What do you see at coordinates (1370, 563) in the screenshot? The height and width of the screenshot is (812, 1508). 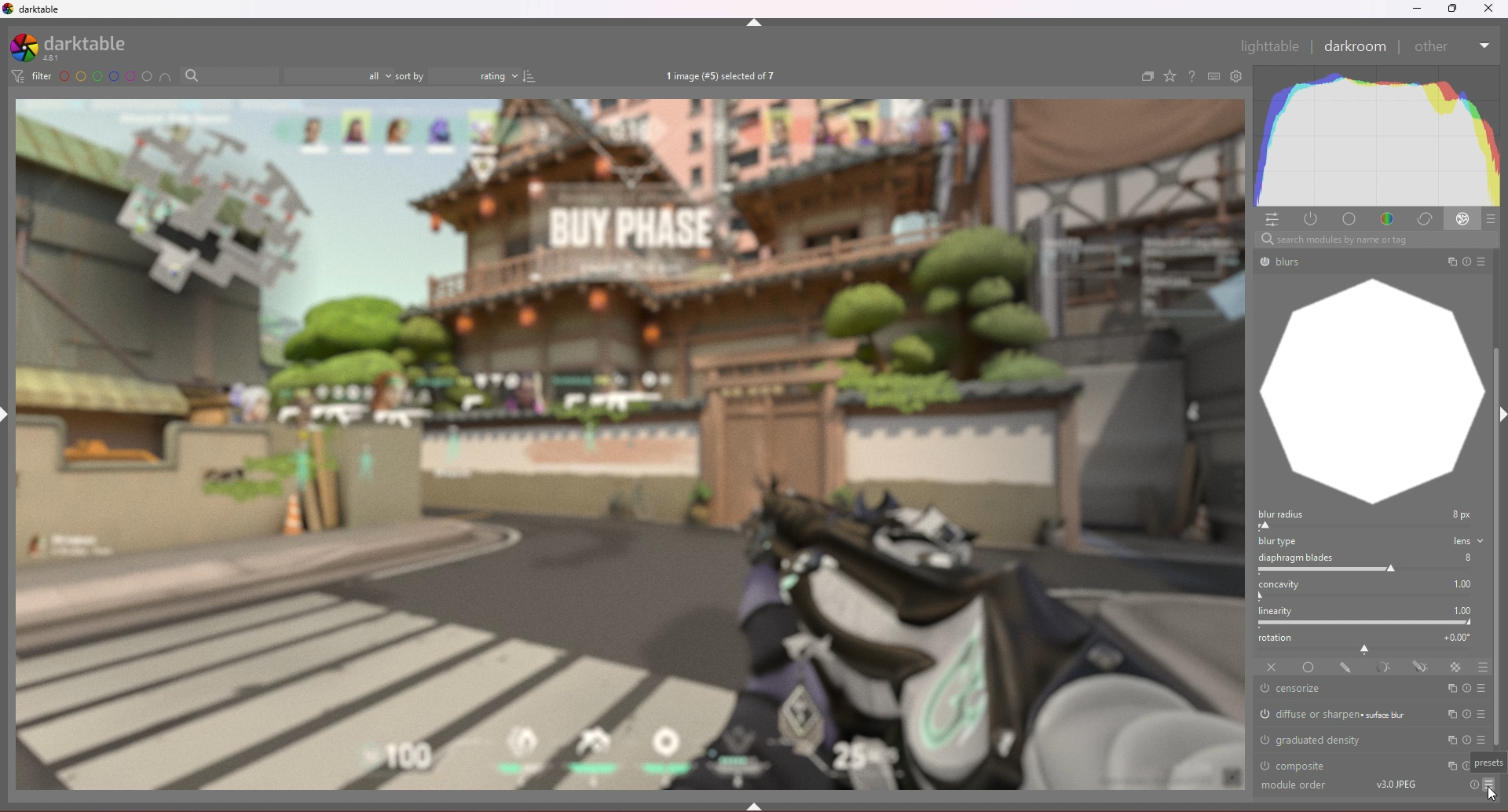 I see `diaphragm blades` at bounding box center [1370, 563].